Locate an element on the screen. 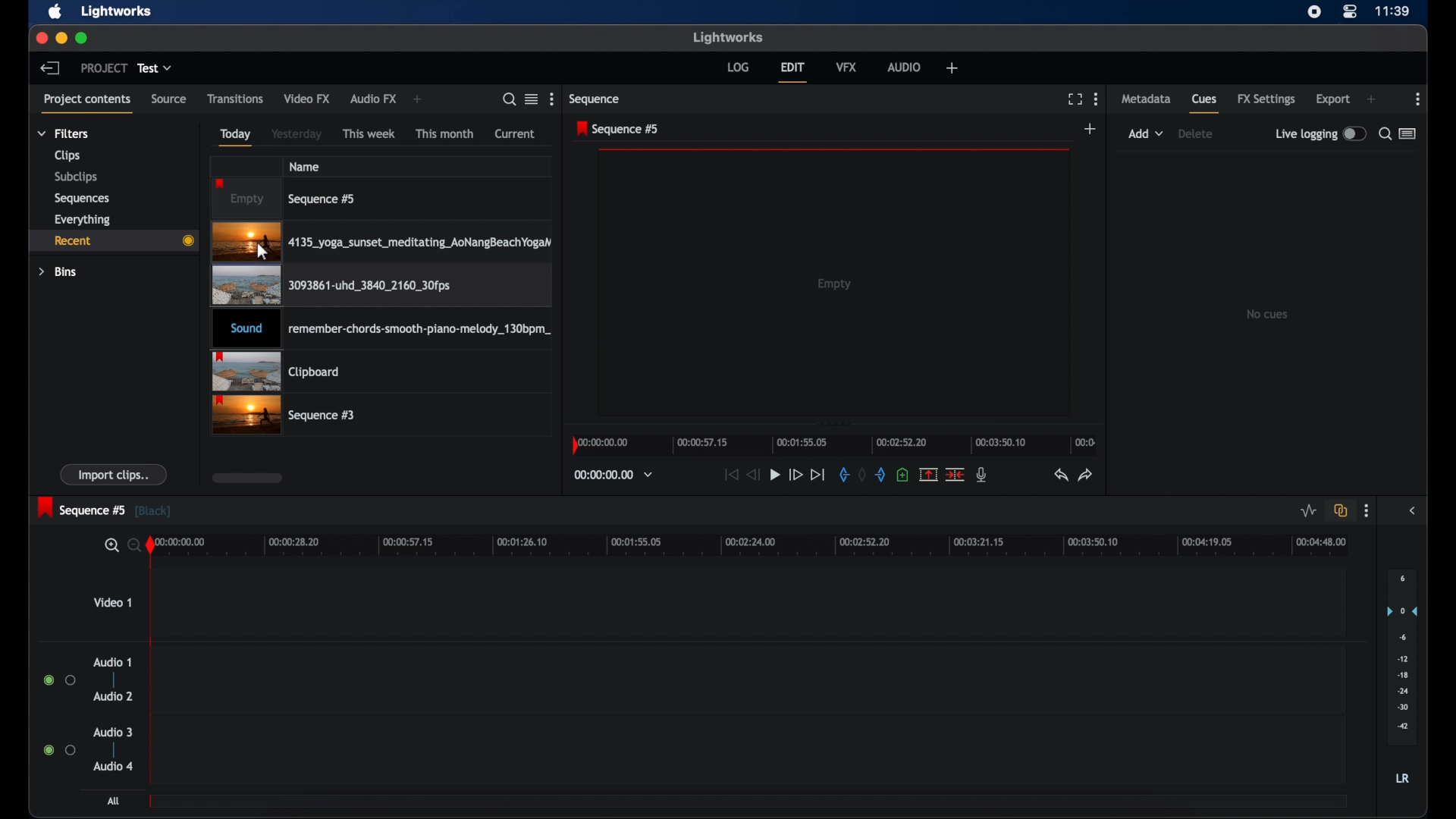  sequence 5 is located at coordinates (105, 509).